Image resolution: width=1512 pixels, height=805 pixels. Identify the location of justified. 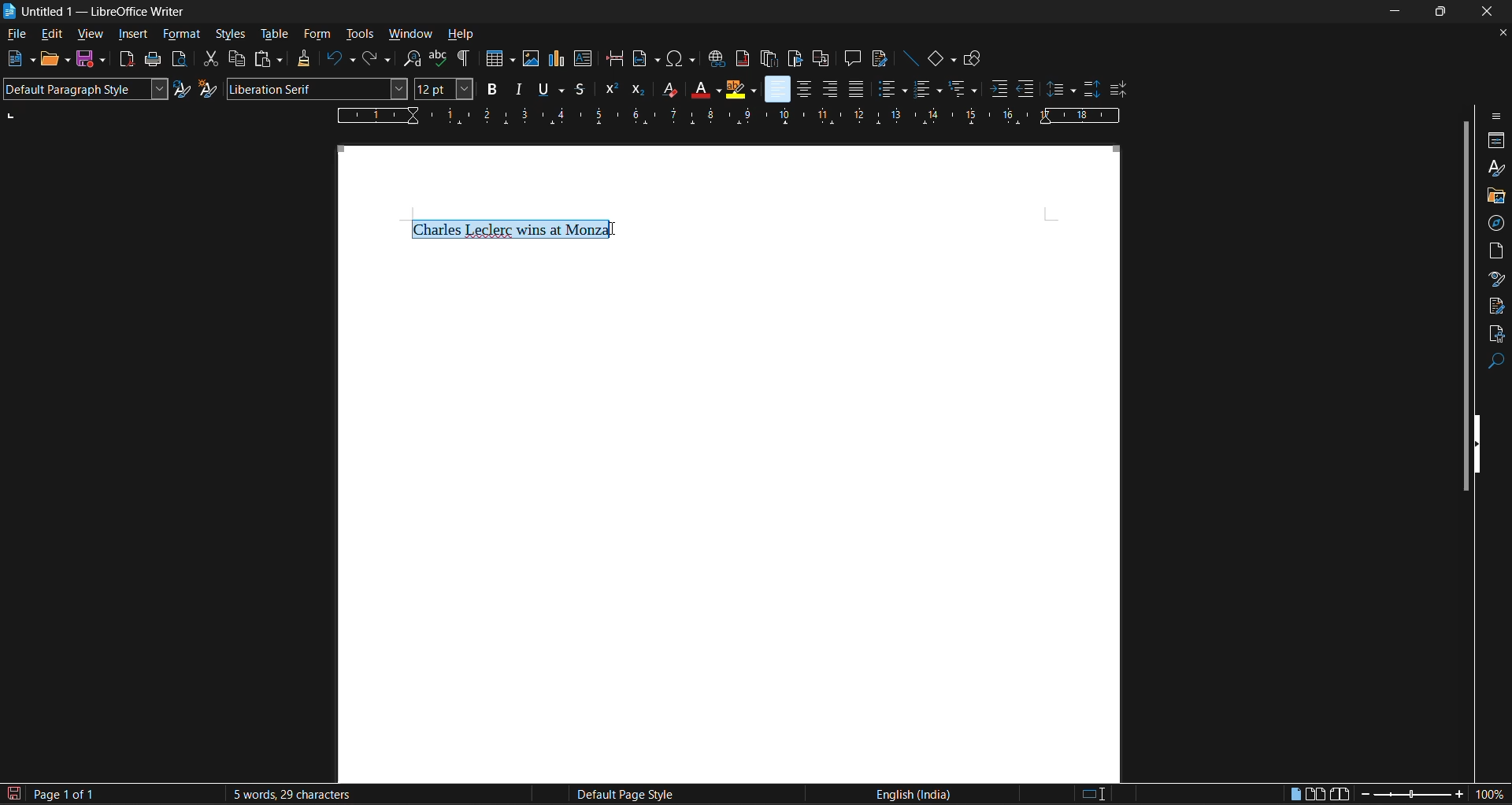
(858, 87).